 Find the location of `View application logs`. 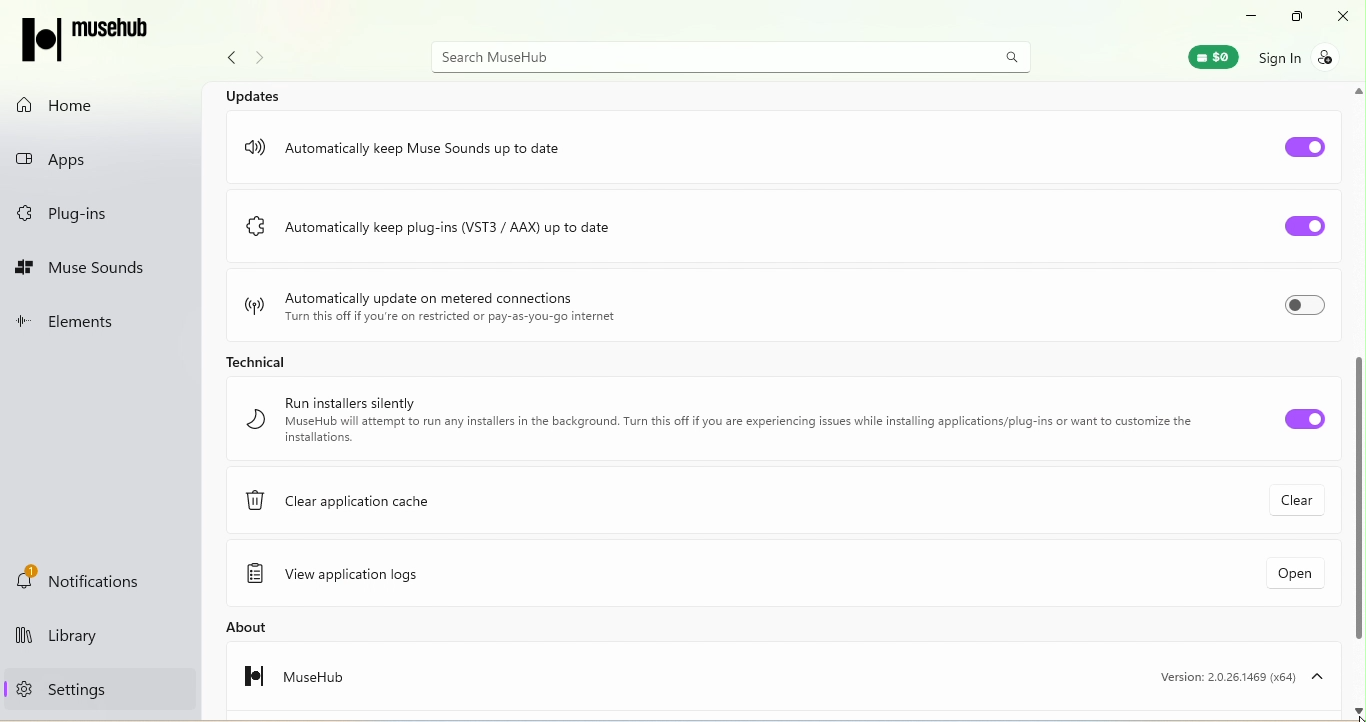

View application logs is located at coordinates (347, 576).